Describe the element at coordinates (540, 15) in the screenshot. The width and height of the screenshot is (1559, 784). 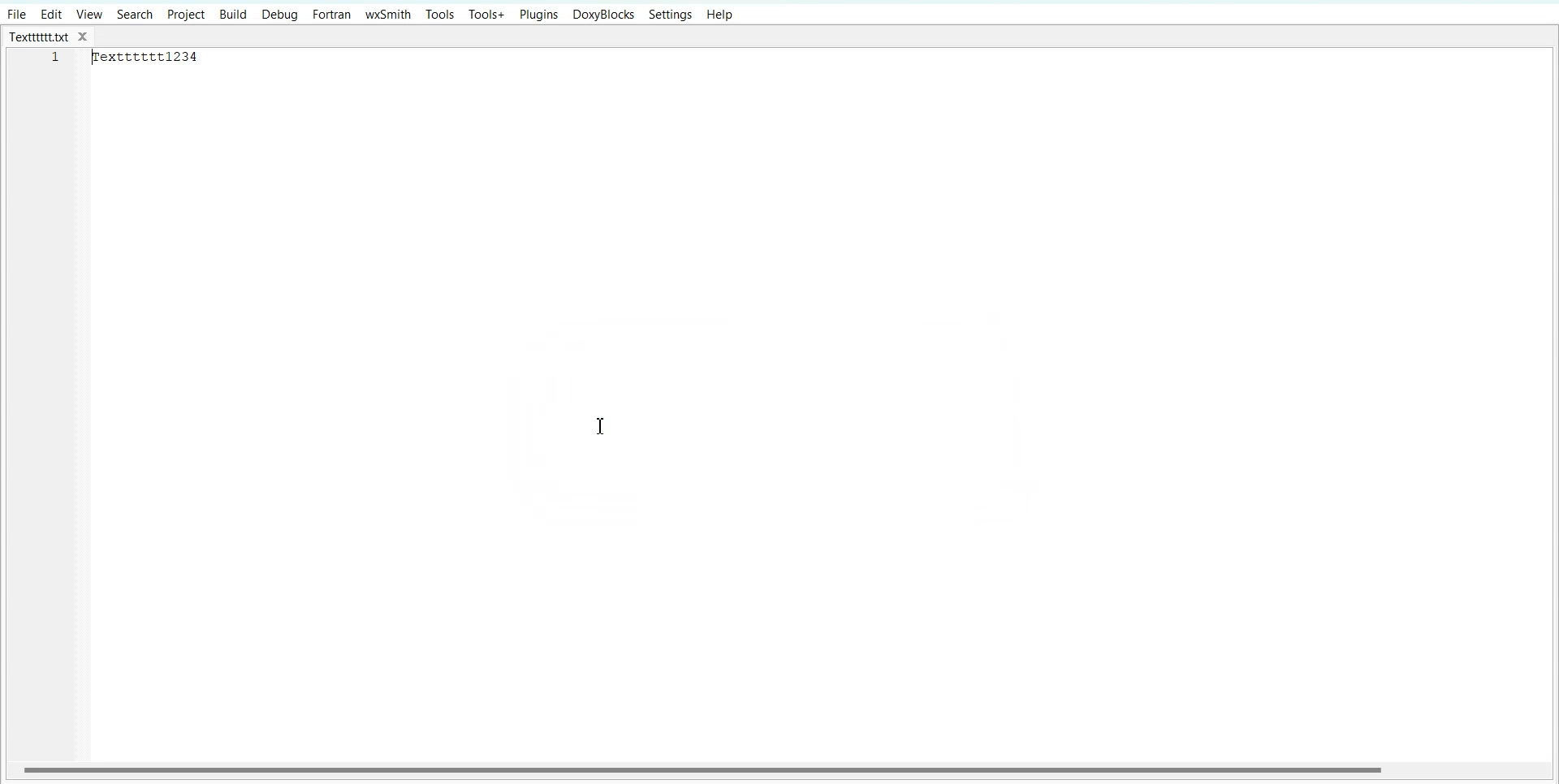
I see `Plugins` at that location.